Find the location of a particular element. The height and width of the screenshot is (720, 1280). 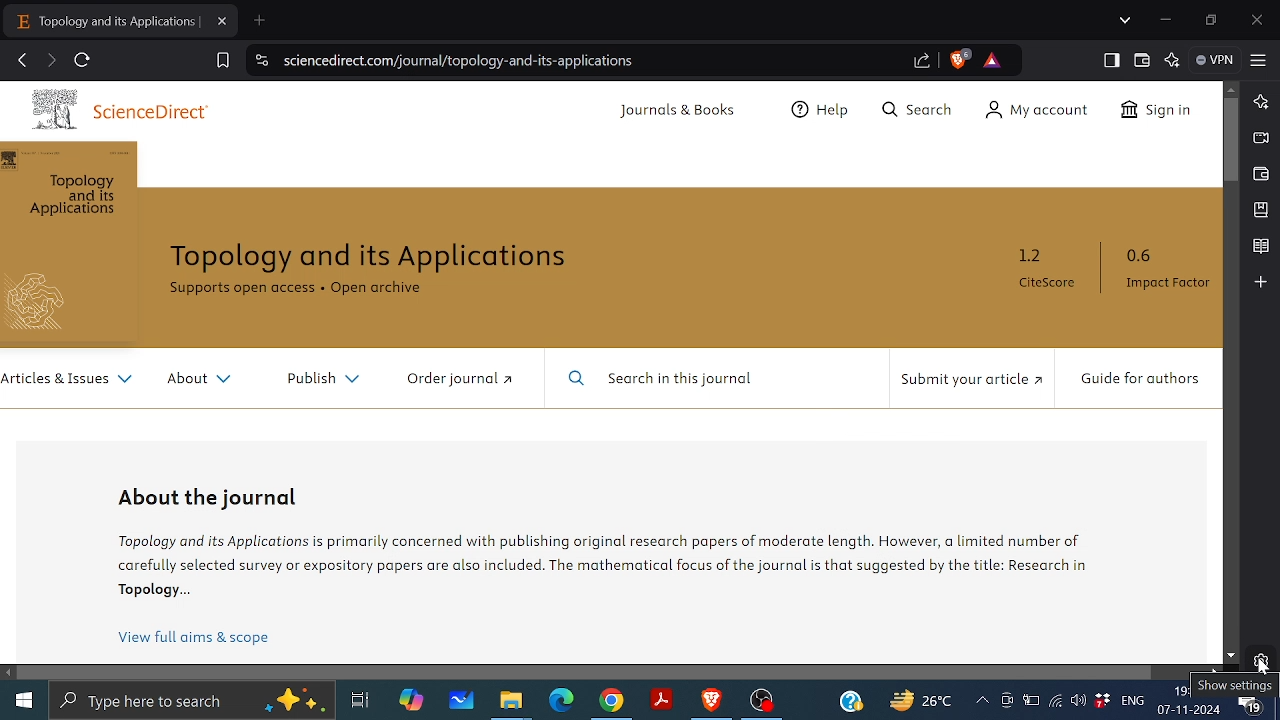

Search is located at coordinates (917, 109).